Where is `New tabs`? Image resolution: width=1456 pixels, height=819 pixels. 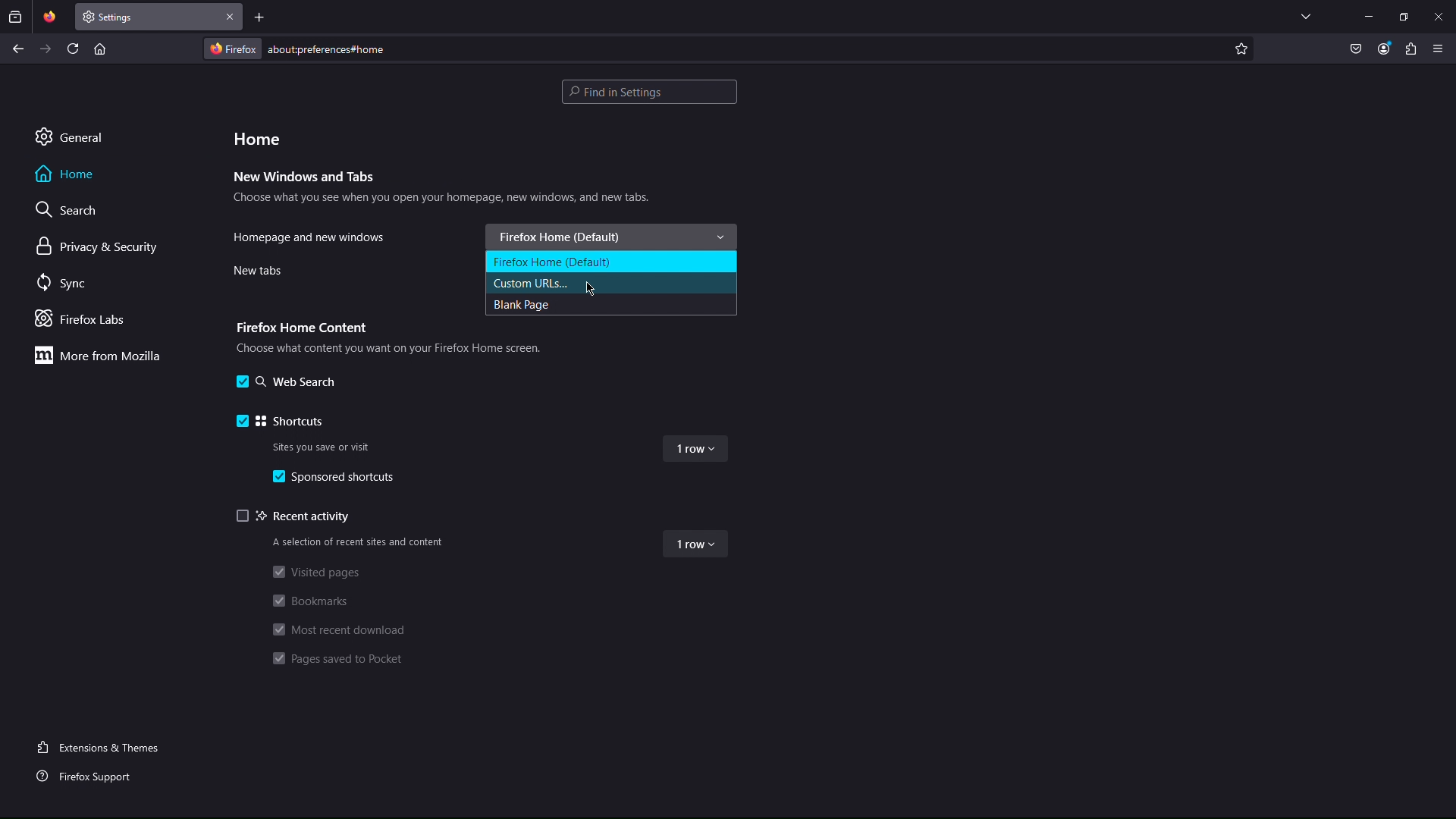
New tabs is located at coordinates (259, 271).